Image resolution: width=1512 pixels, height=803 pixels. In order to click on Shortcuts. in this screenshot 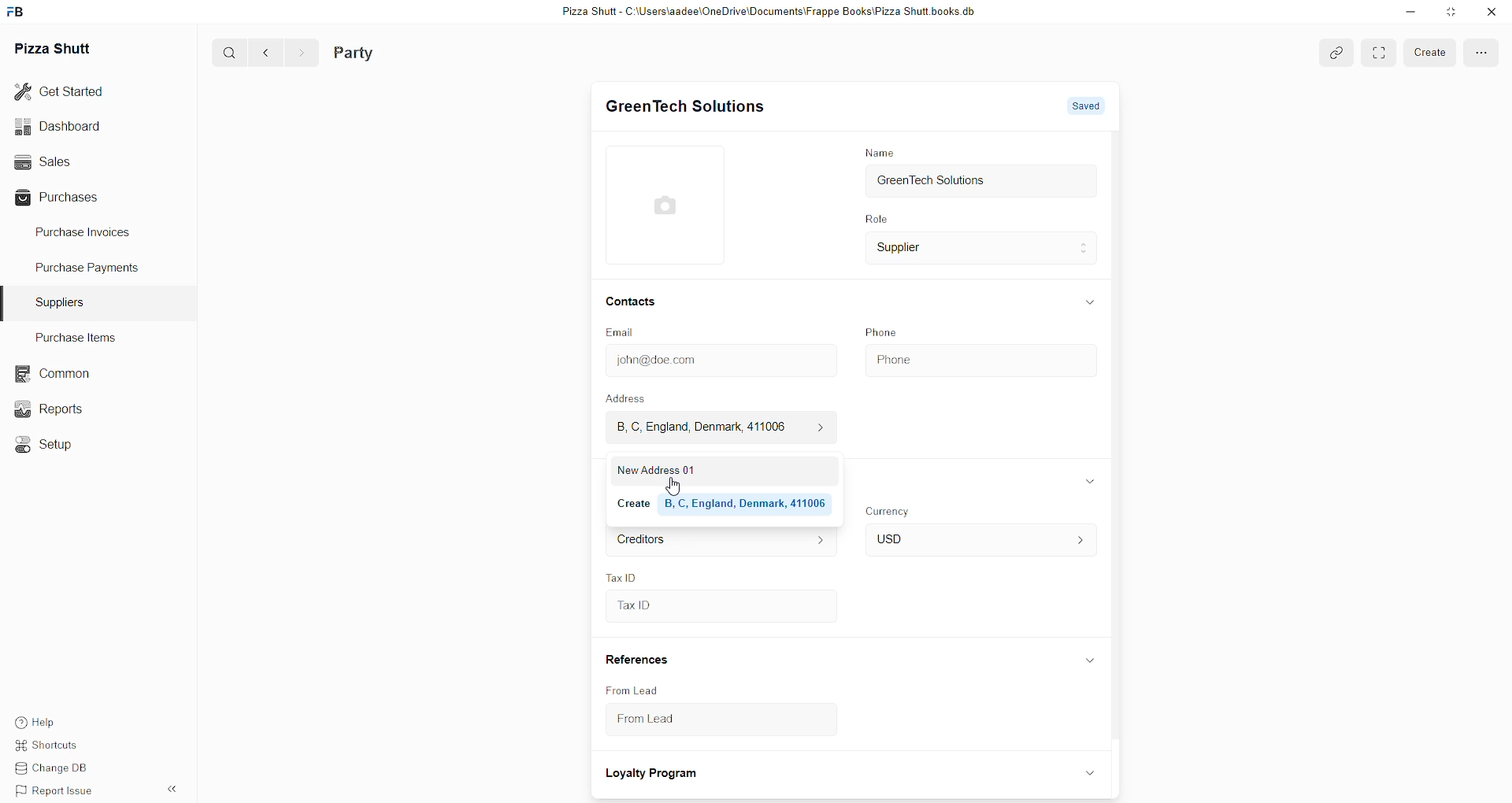, I will do `click(57, 748)`.